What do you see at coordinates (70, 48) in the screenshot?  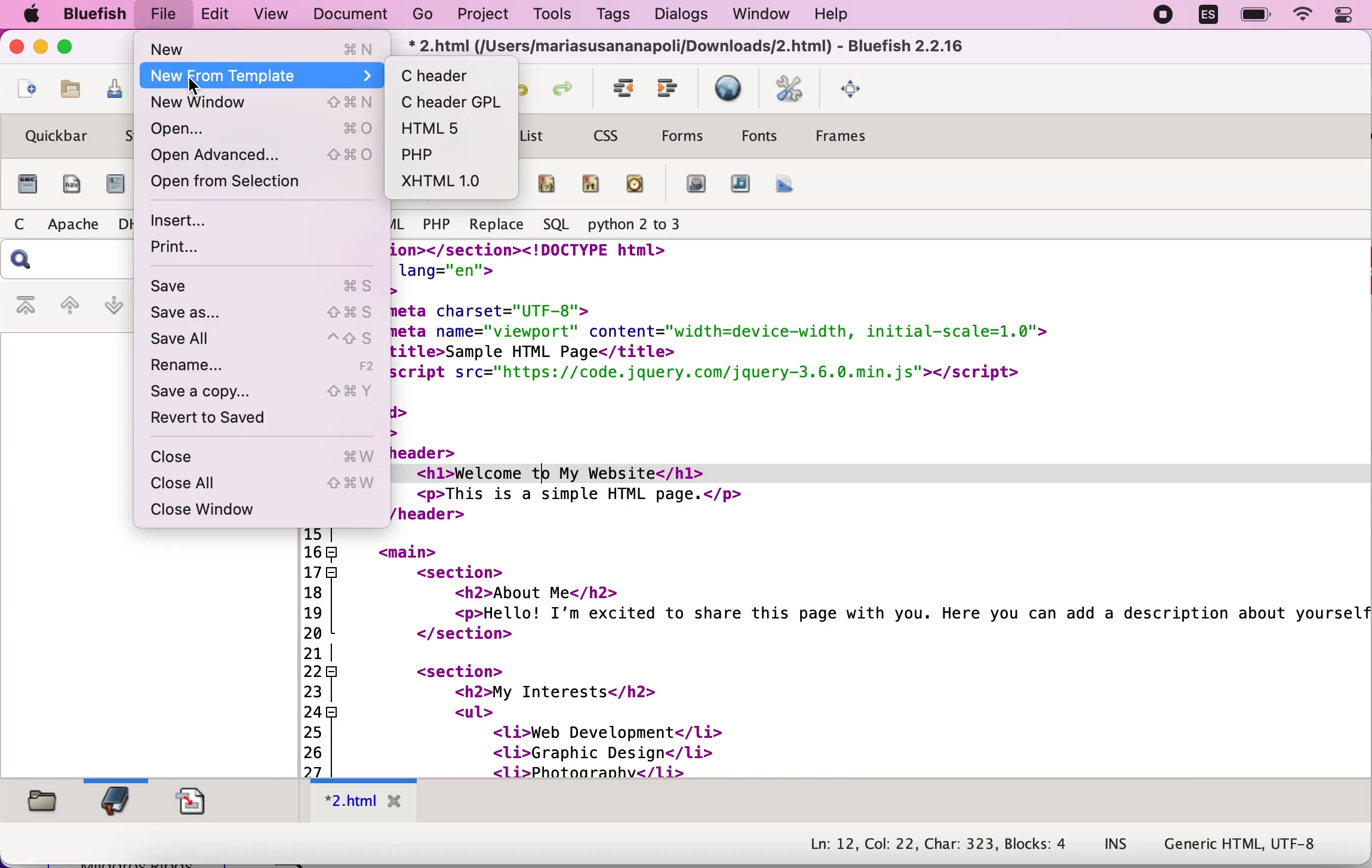 I see `maximize` at bounding box center [70, 48].